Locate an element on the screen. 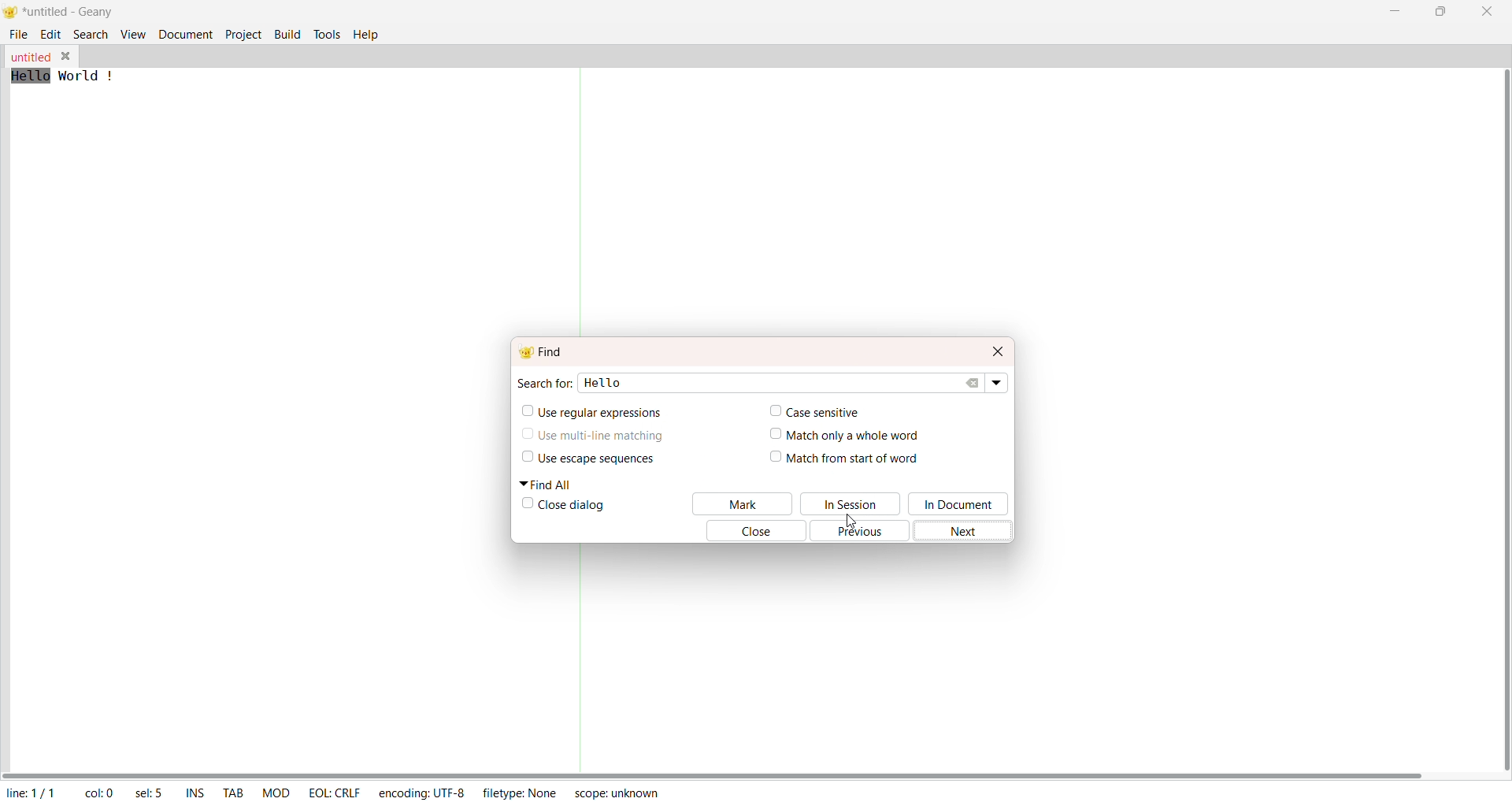  Sel: 5 is located at coordinates (148, 792).